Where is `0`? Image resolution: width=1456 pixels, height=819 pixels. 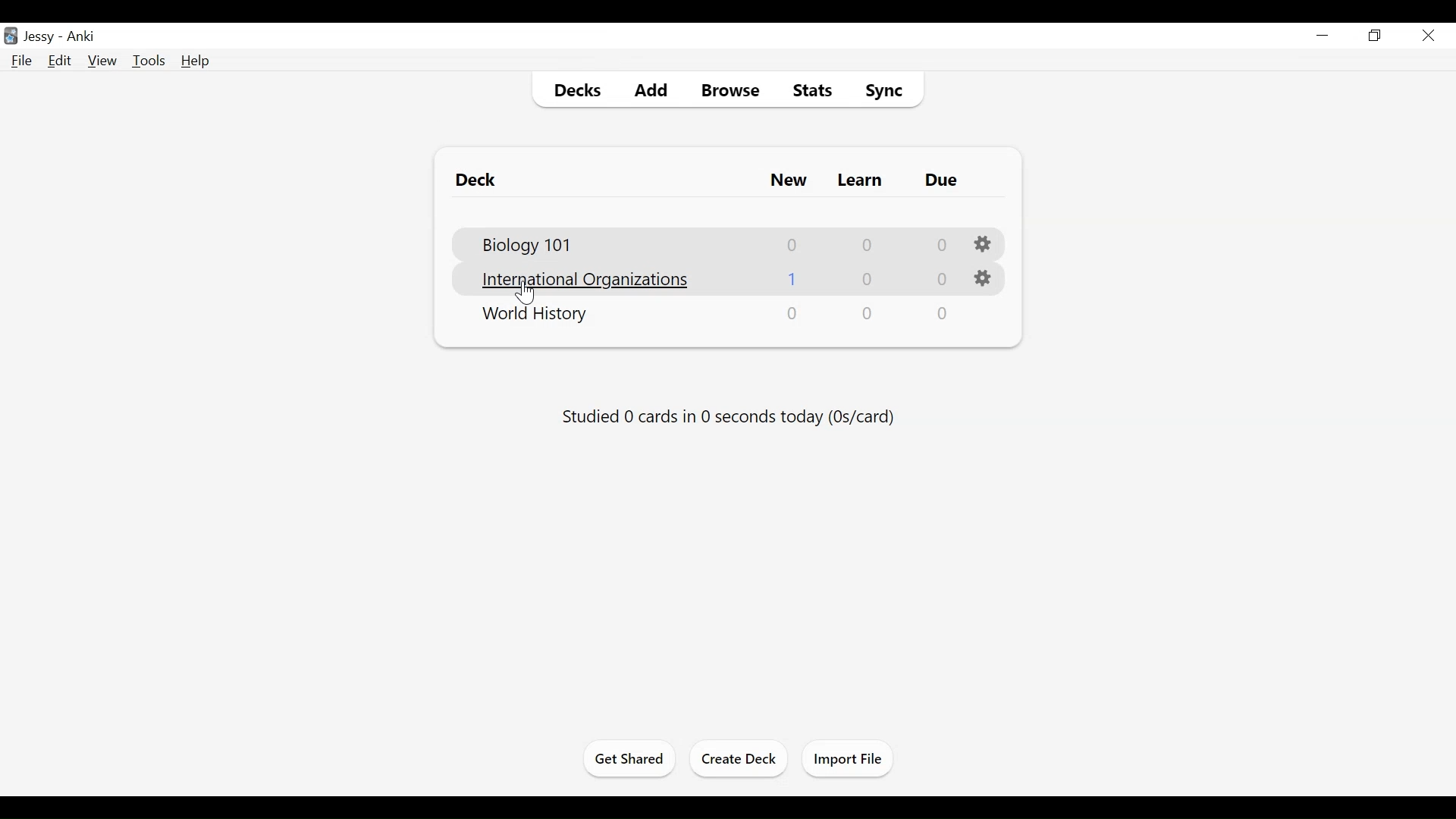
0 is located at coordinates (794, 246).